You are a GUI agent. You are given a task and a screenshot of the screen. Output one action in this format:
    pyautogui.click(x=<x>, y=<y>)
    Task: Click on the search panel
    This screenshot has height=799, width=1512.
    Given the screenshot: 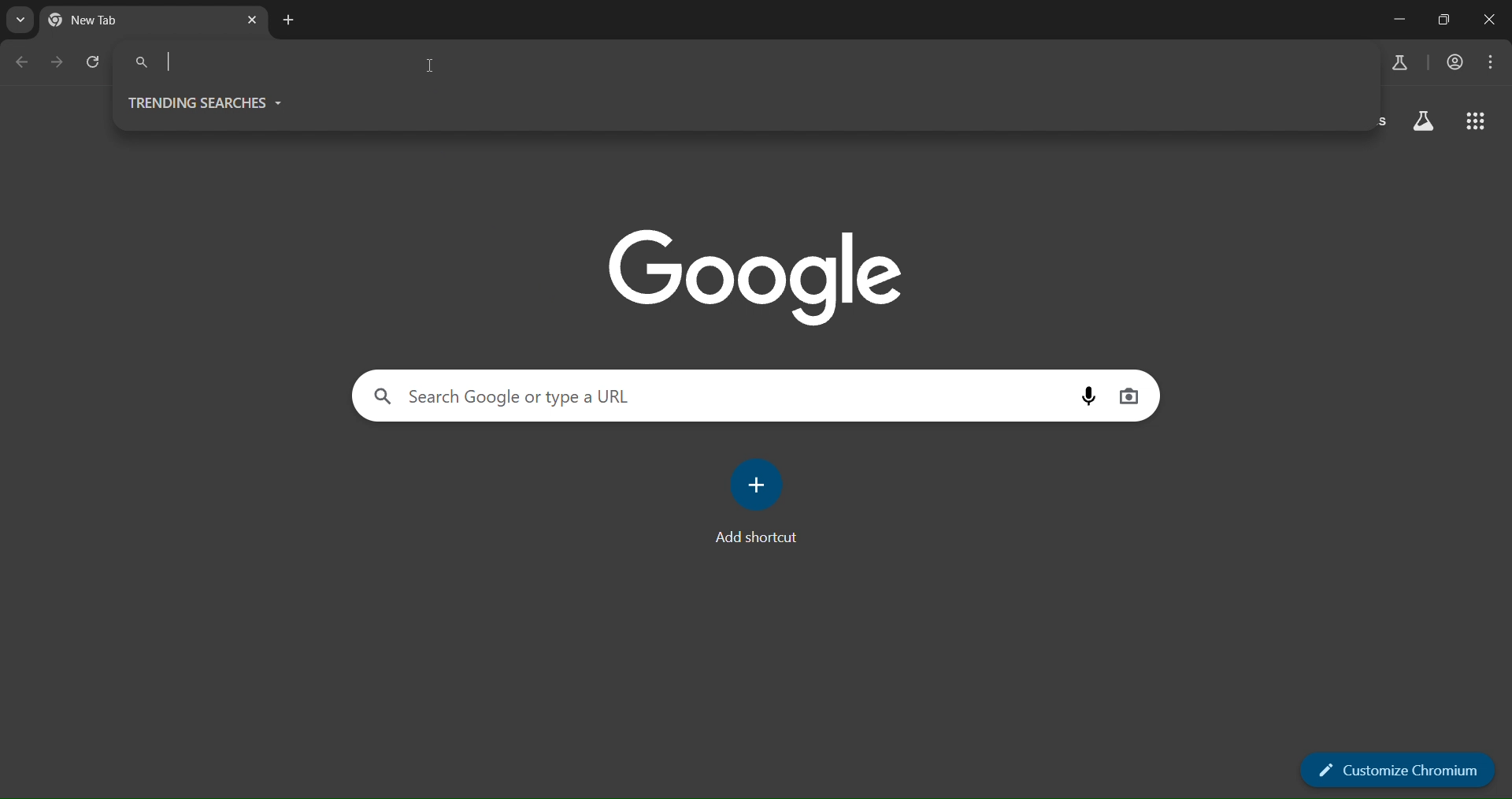 What is the action you would take?
    pyautogui.click(x=261, y=61)
    